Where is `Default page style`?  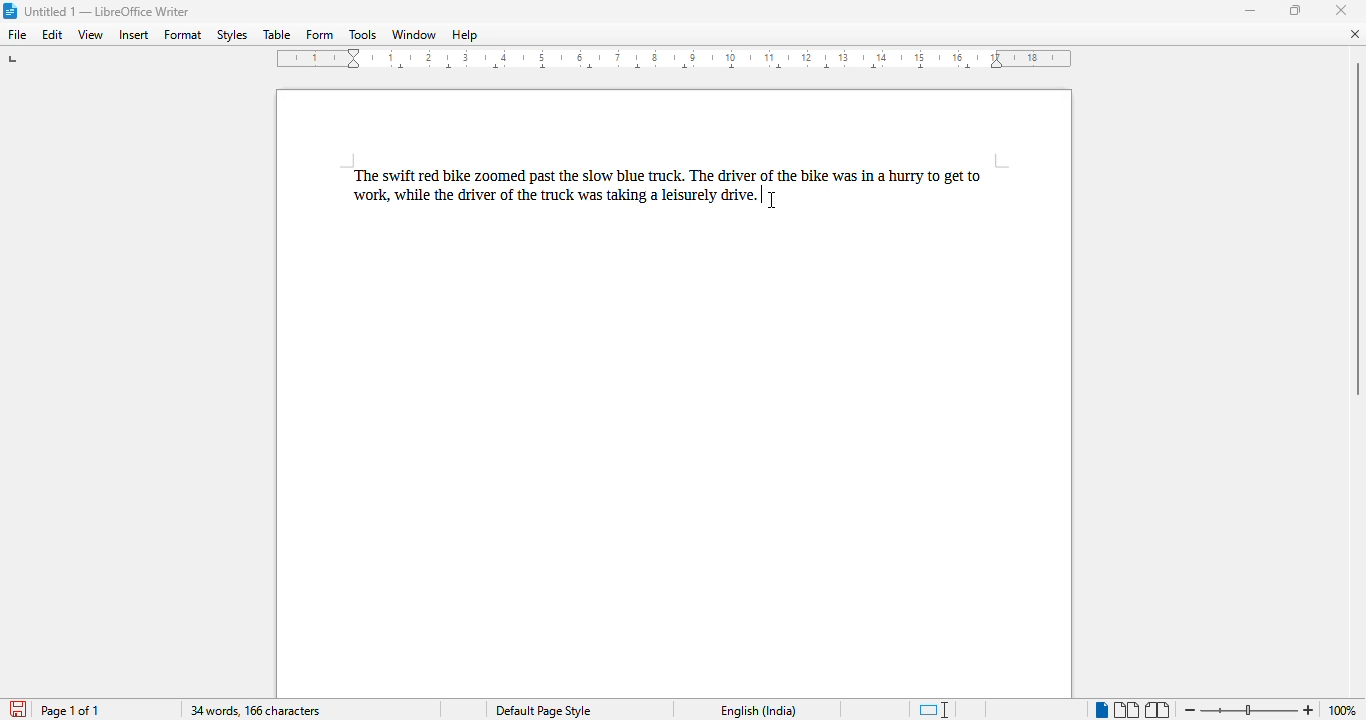
Default page style is located at coordinates (542, 711).